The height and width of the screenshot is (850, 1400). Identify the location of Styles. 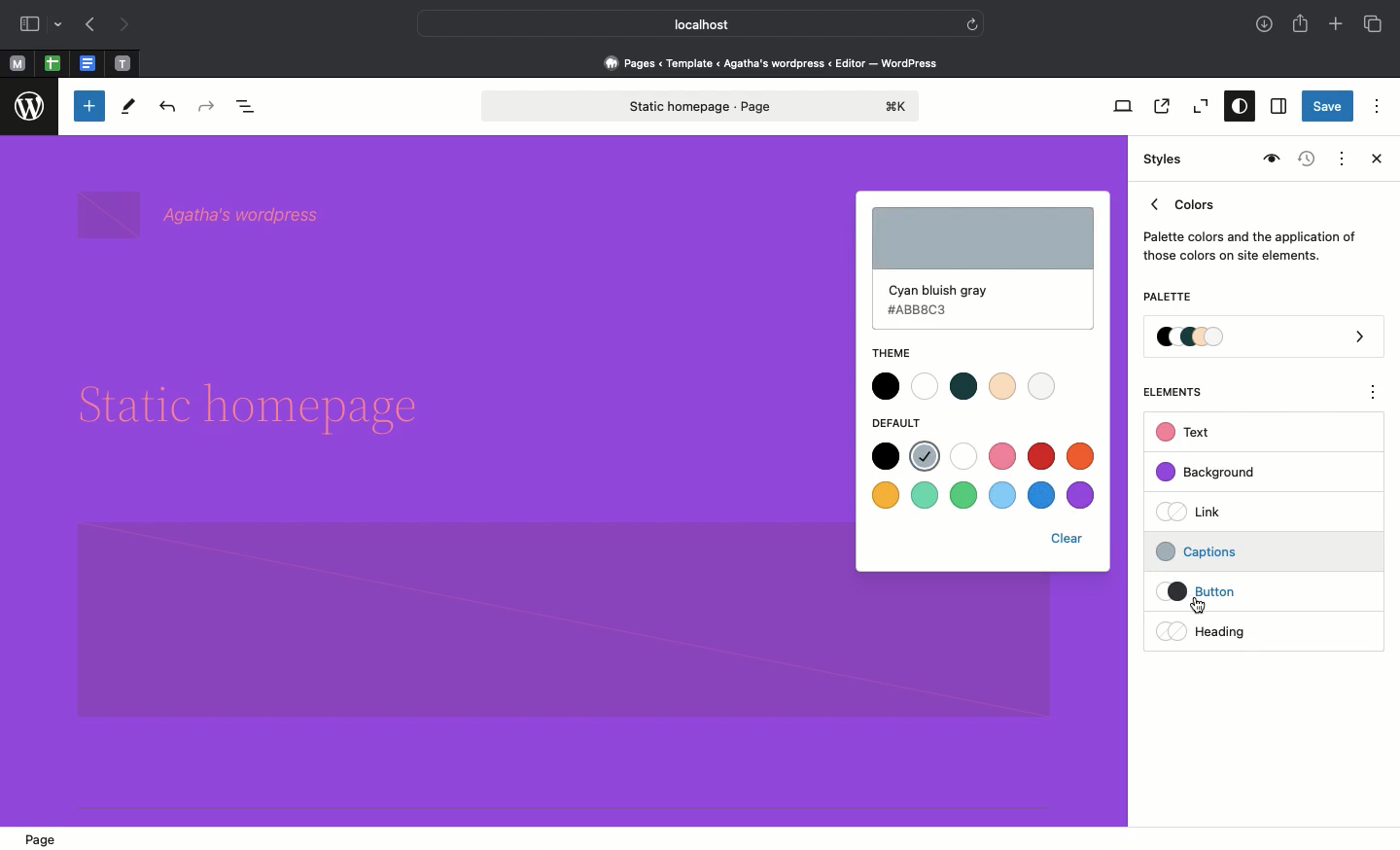
(1165, 159).